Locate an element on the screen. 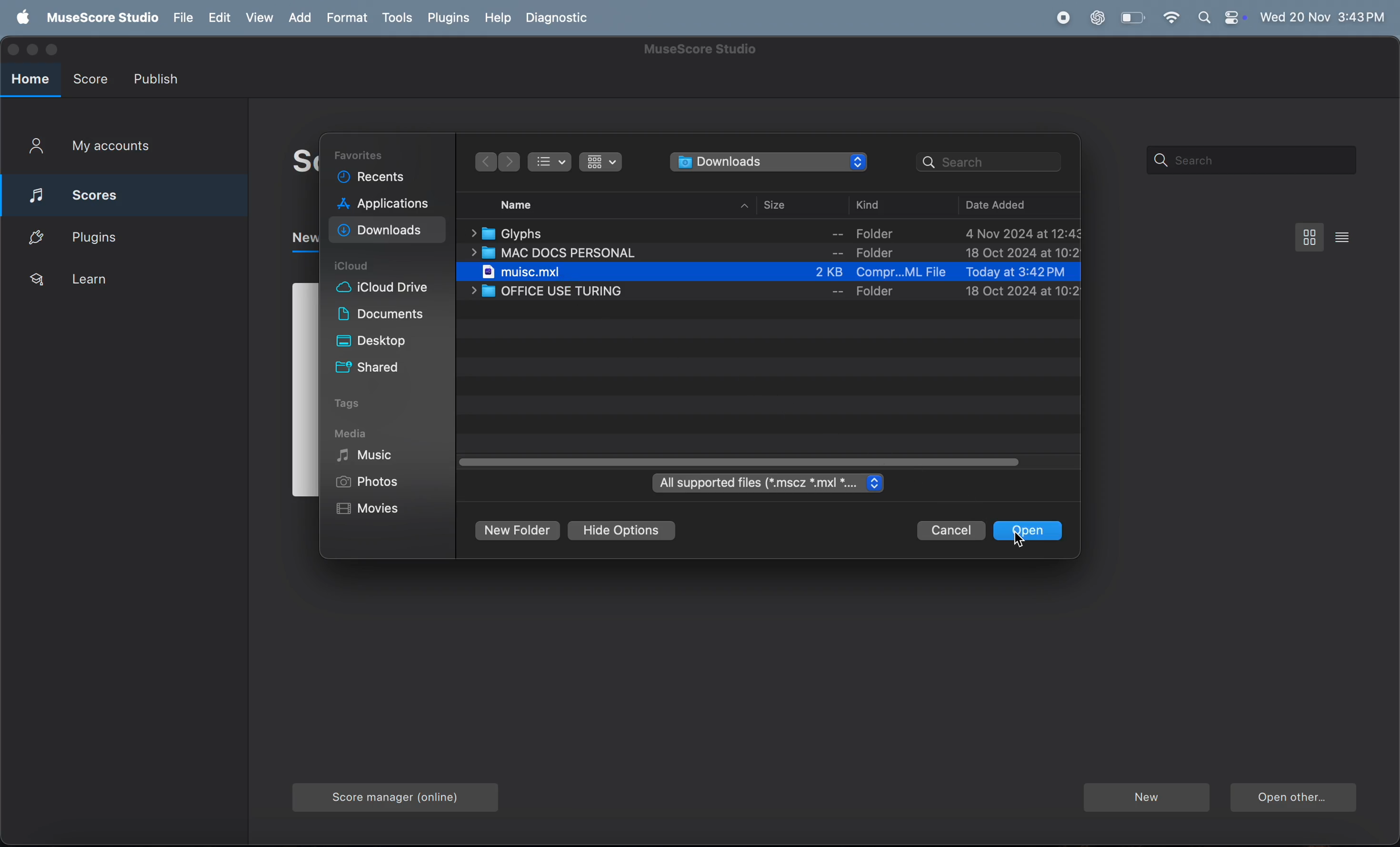 The width and height of the screenshot is (1400, 847). tags is located at coordinates (370, 402).